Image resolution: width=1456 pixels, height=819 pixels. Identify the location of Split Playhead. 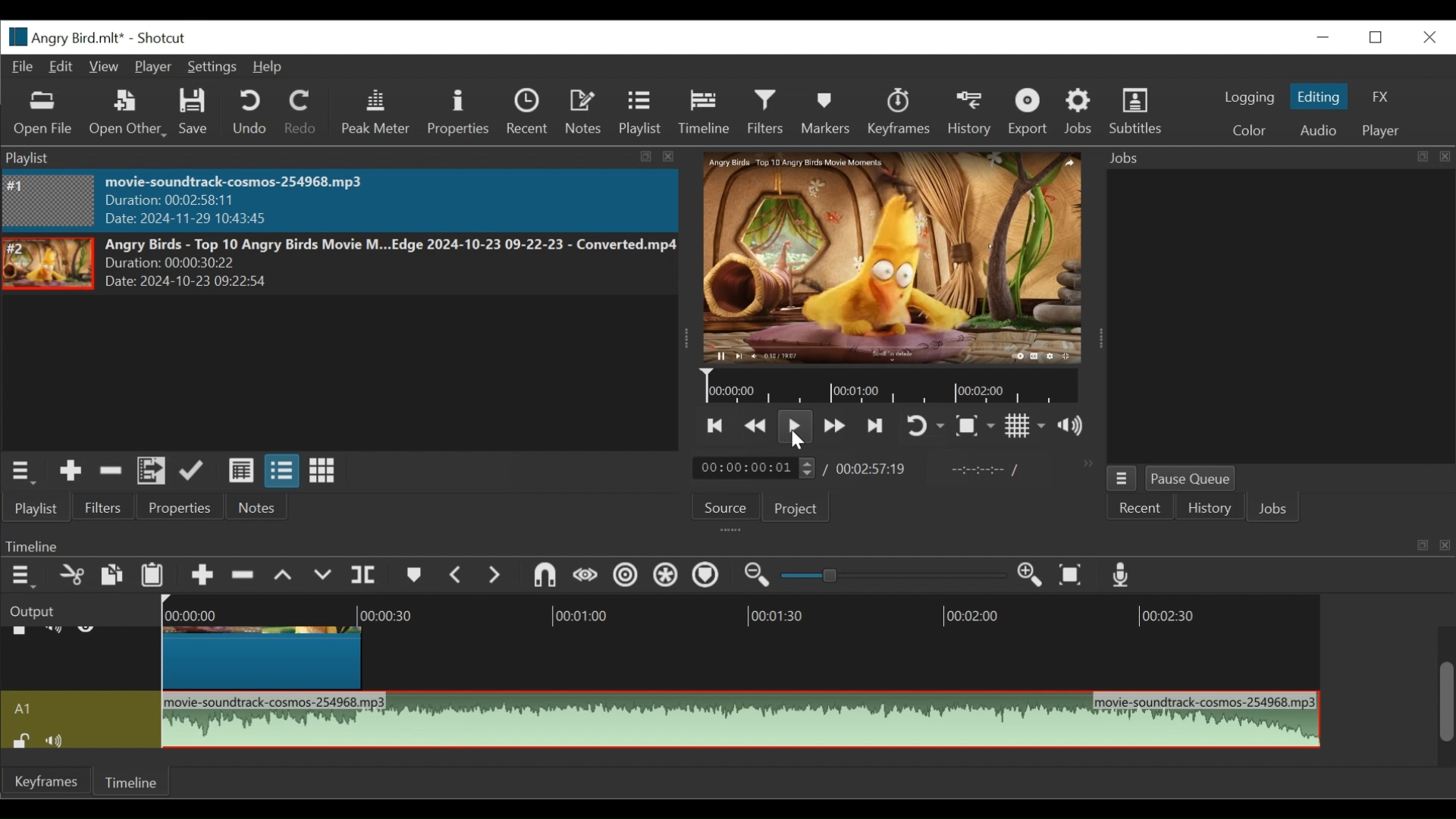
(363, 576).